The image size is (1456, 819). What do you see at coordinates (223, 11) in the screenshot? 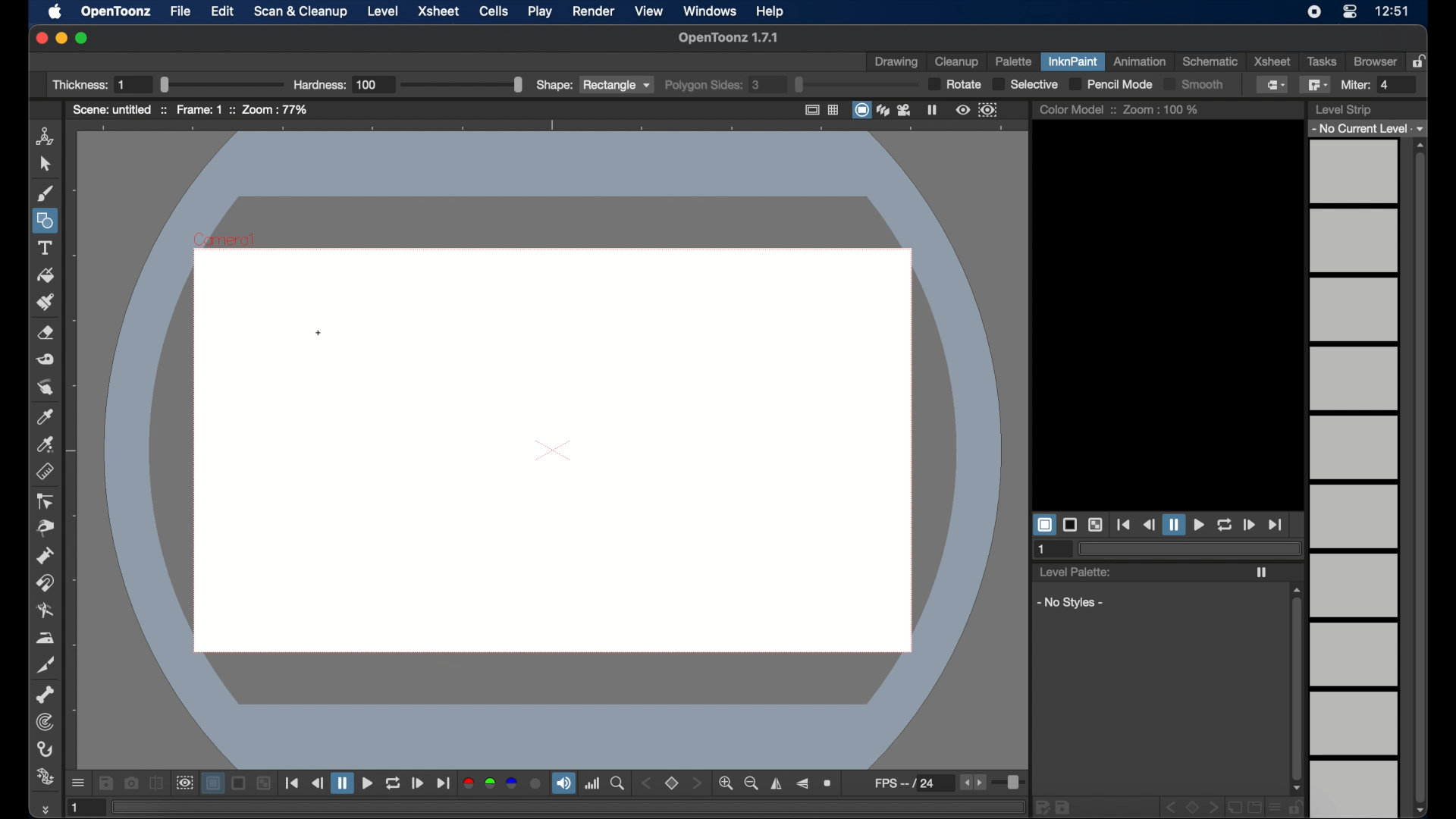
I see `edit` at bounding box center [223, 11].